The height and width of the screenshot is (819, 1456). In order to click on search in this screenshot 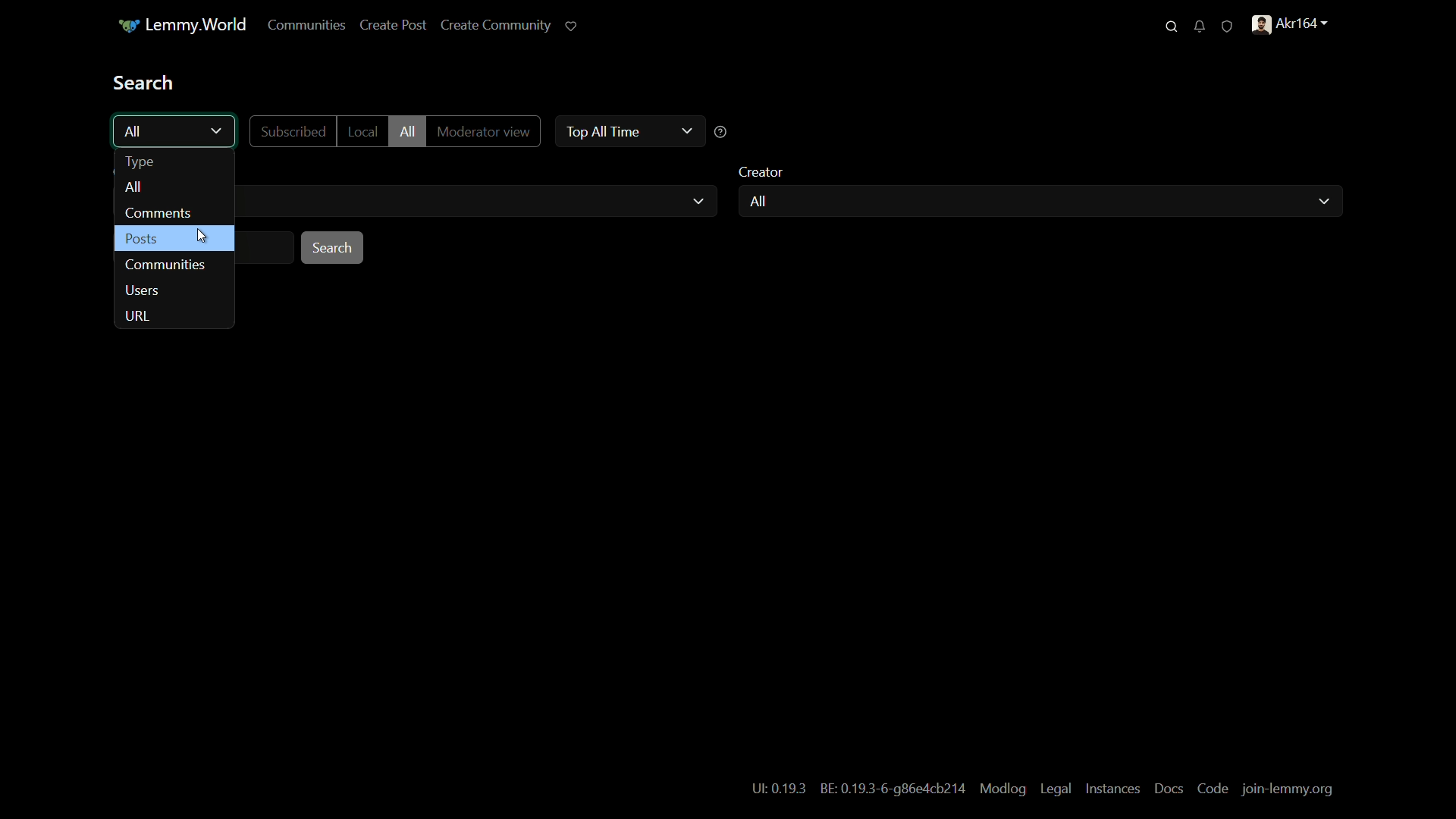, I will do `click(334, 248)`.